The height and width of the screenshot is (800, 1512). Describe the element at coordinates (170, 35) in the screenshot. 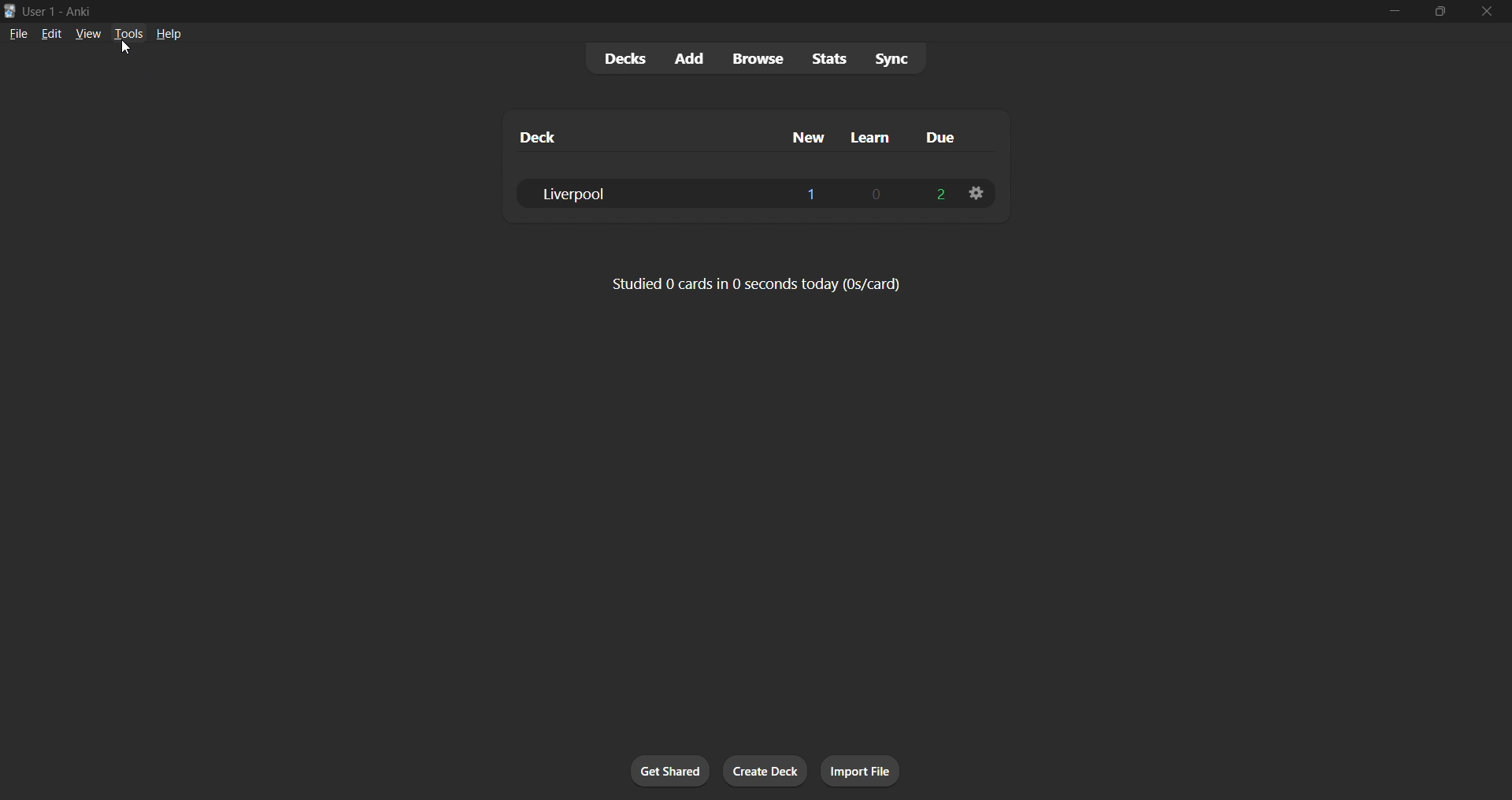

I see `help` at that location.